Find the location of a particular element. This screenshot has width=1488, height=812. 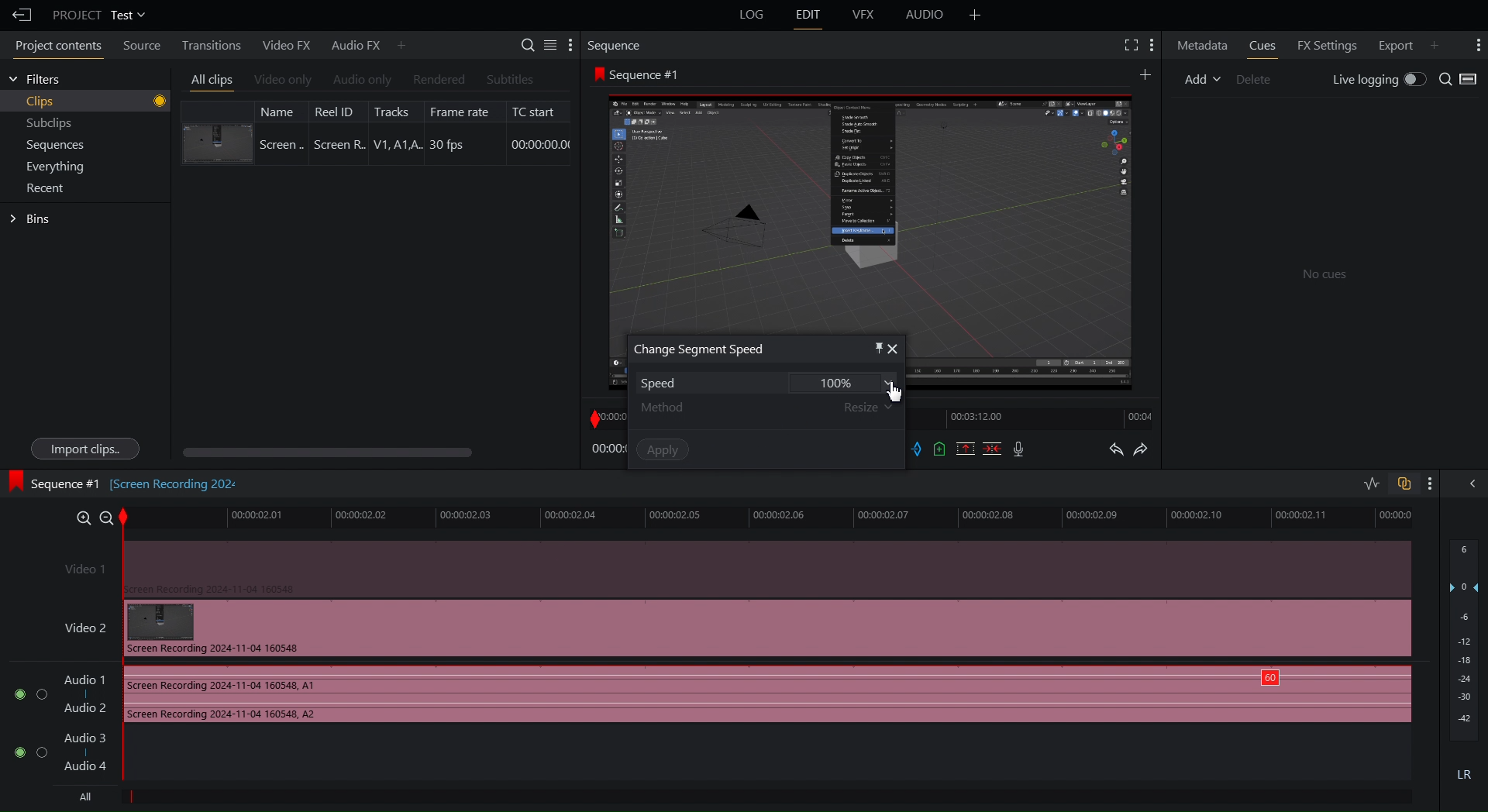

Video Only is located at coordinates (283, 81).